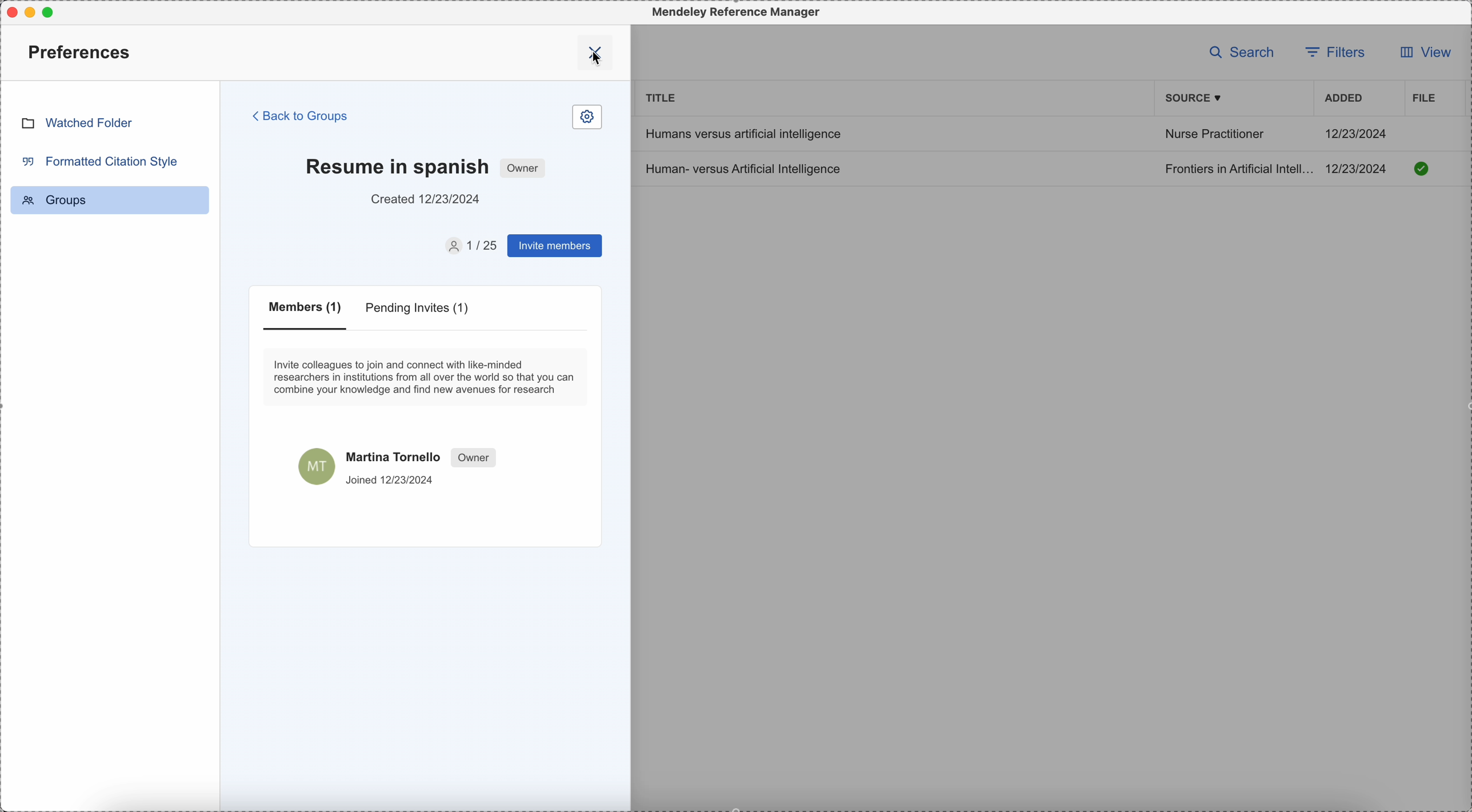 This screenshot has width=1472, height=812. Describe the element at coordinates (733, 13) in the screenshot. I see `Mendeley Reference Manager` at that location.